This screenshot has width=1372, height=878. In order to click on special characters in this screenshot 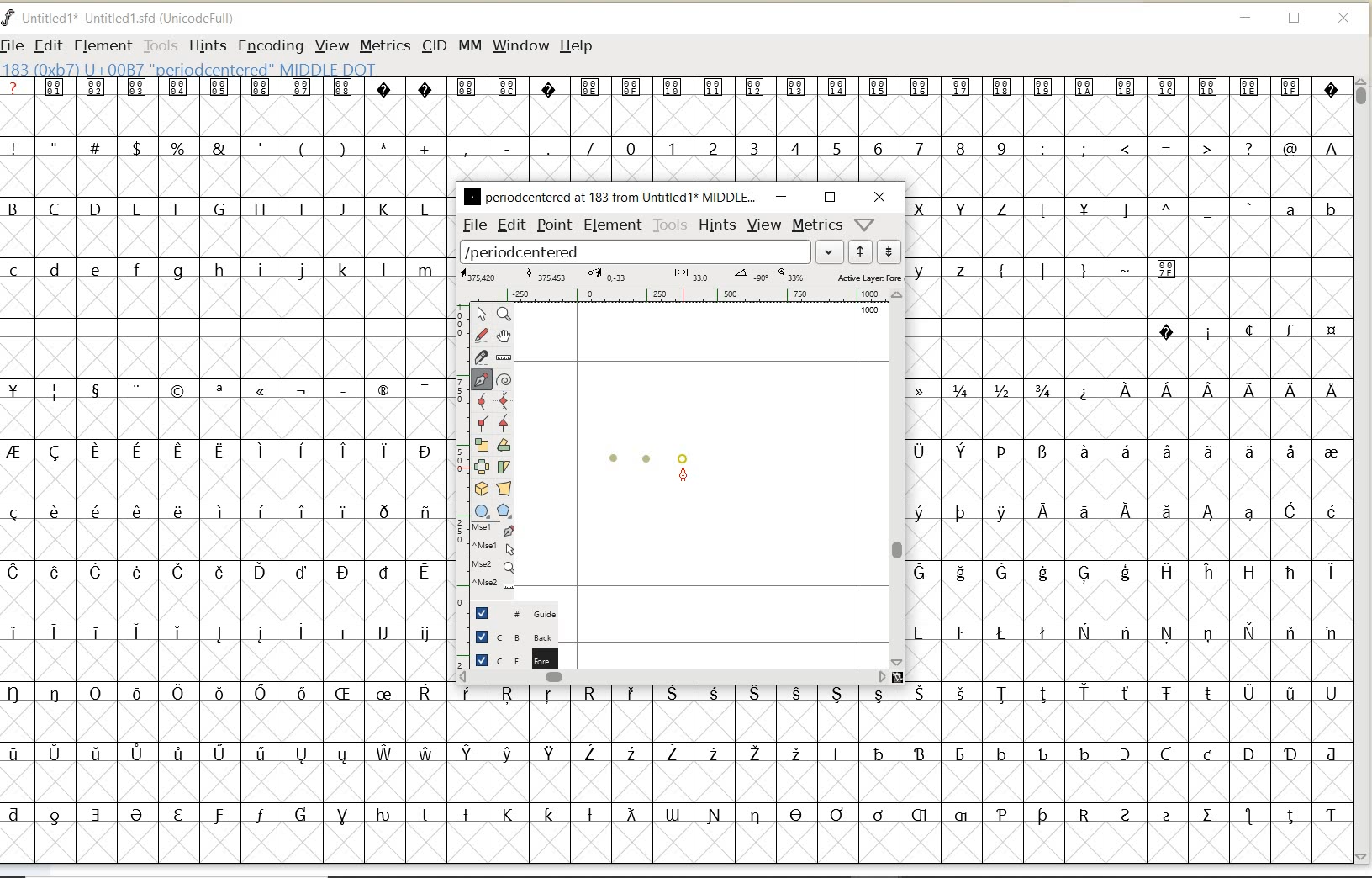, I will do `click(1247, 331)`.